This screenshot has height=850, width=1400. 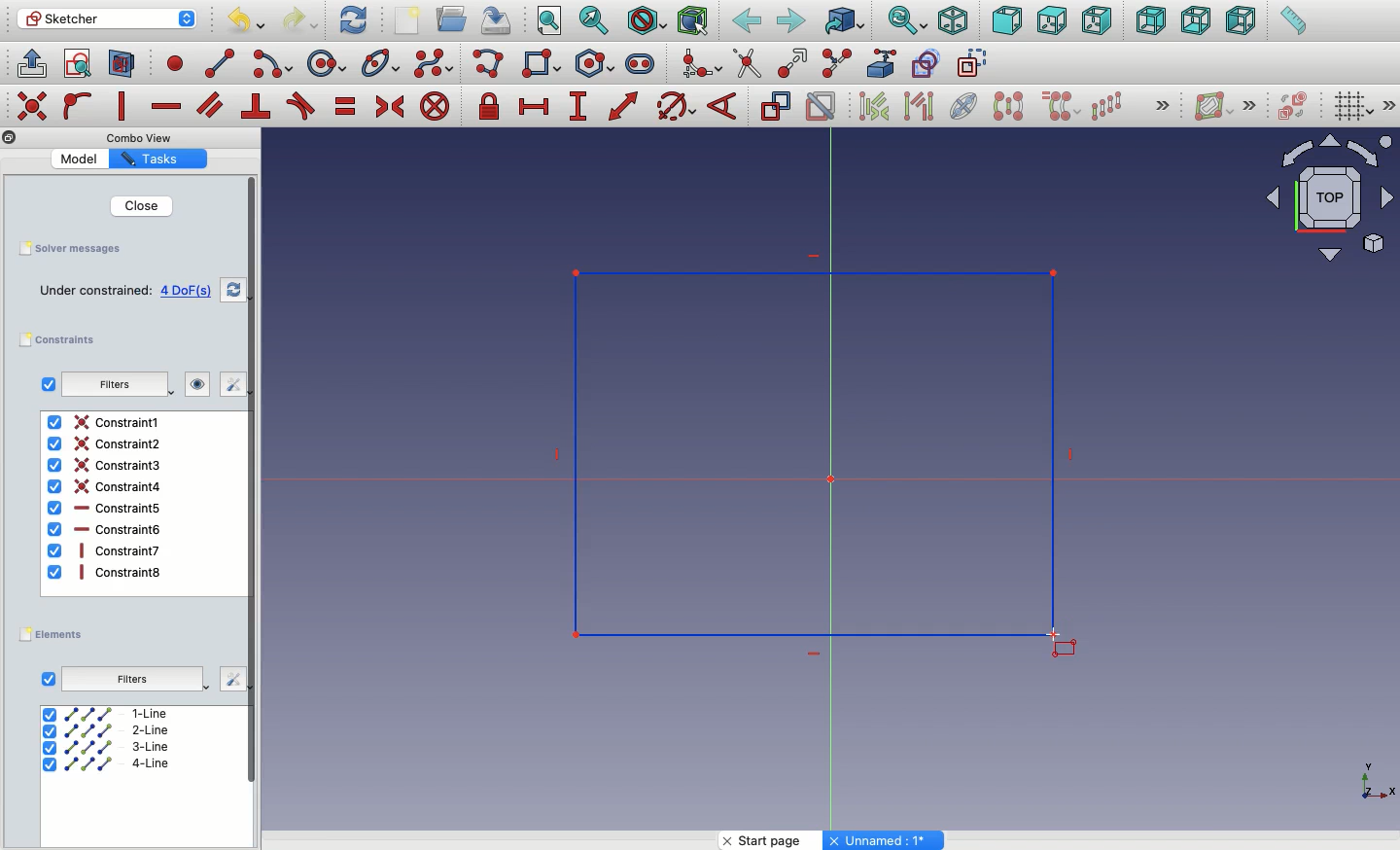 What do you see at coordinates (492, 108) in the screenshot?
I see `constrain lock` at bounding box center [492, 108].